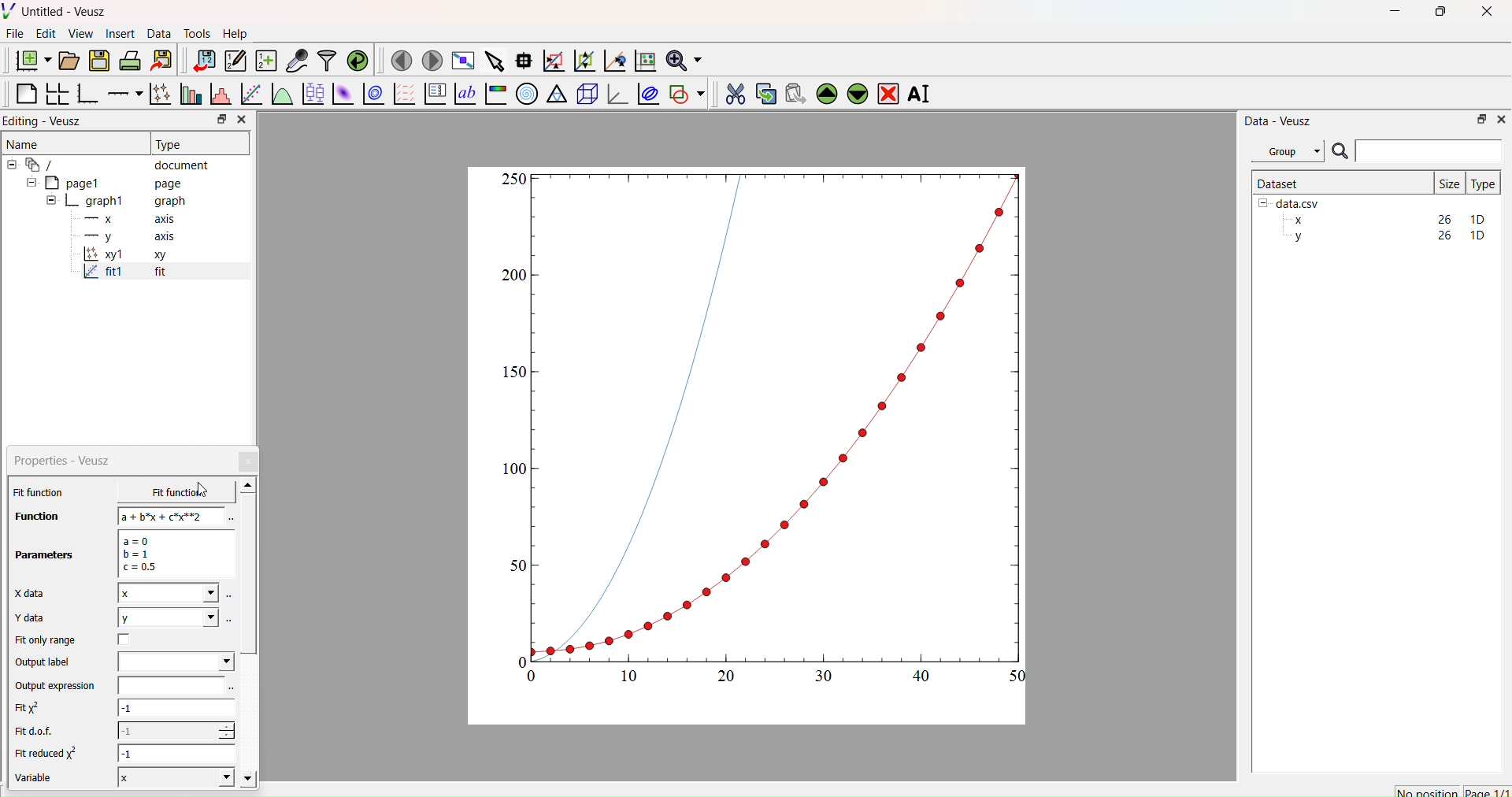 This screenshot has height=797, width=1512. Describe the element at coordinates (372, 95) in the screenshot. I see `Plot a 2d dataset as contours` at that location.